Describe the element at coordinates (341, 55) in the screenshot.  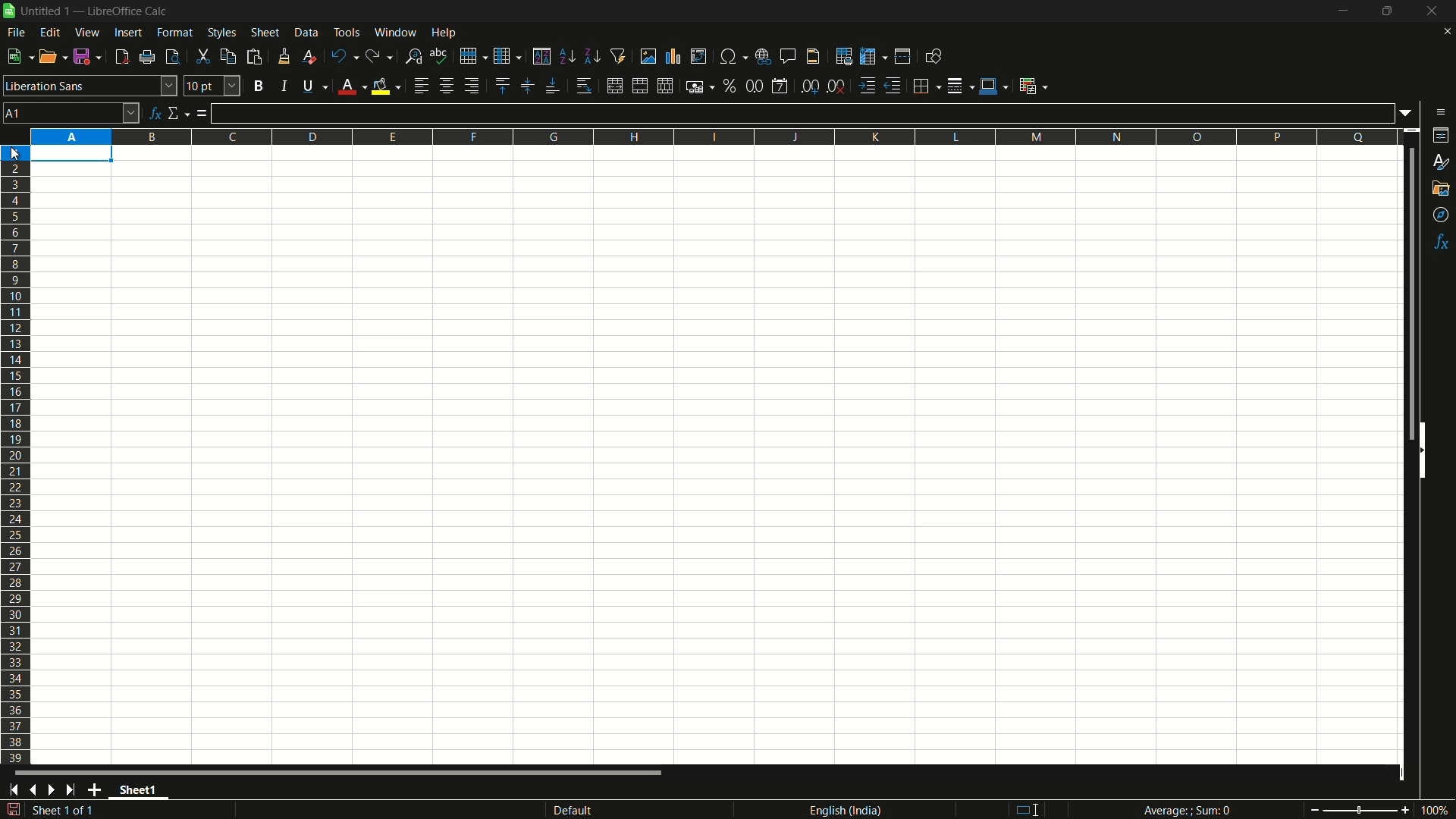
I see `undo` at that location.